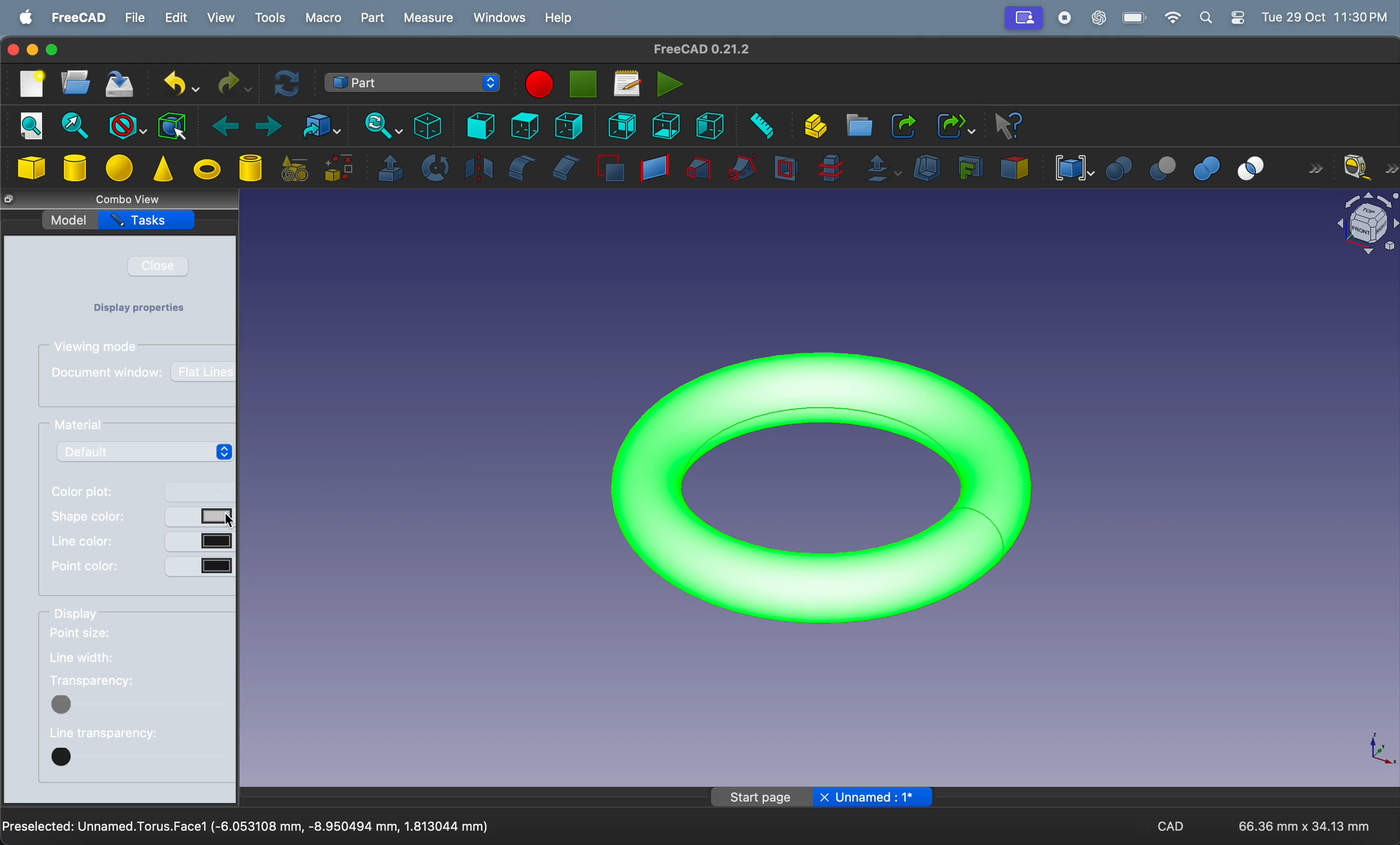 Image resolution: width=1400 pixels, height=845 pixels. What do you see at coordinates (315, 126) in the screenshot?
I see `go to link objects` at bounding box center [315, 126].